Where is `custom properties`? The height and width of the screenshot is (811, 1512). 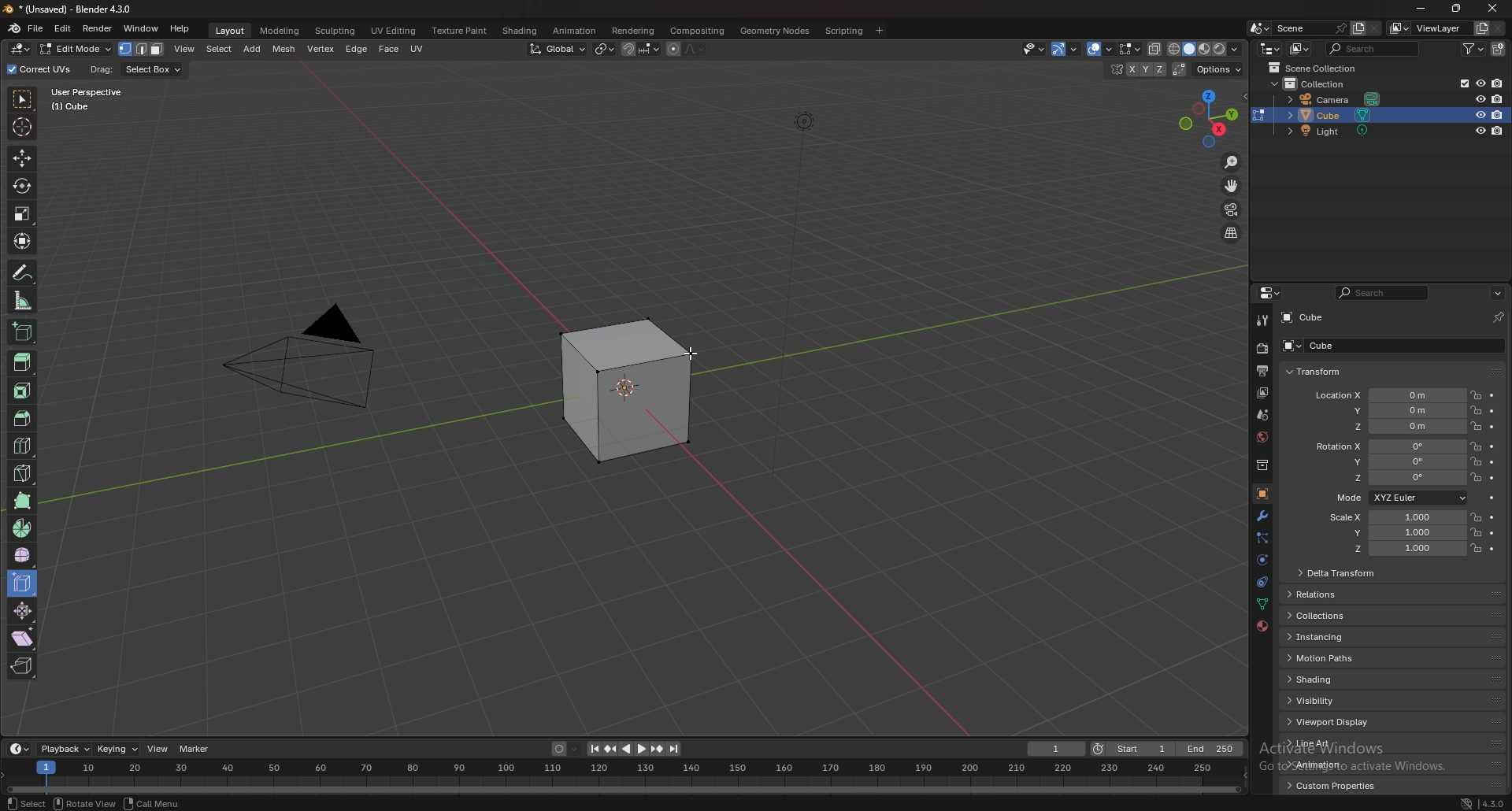
custom properties is located at coordinates (1332, 785).